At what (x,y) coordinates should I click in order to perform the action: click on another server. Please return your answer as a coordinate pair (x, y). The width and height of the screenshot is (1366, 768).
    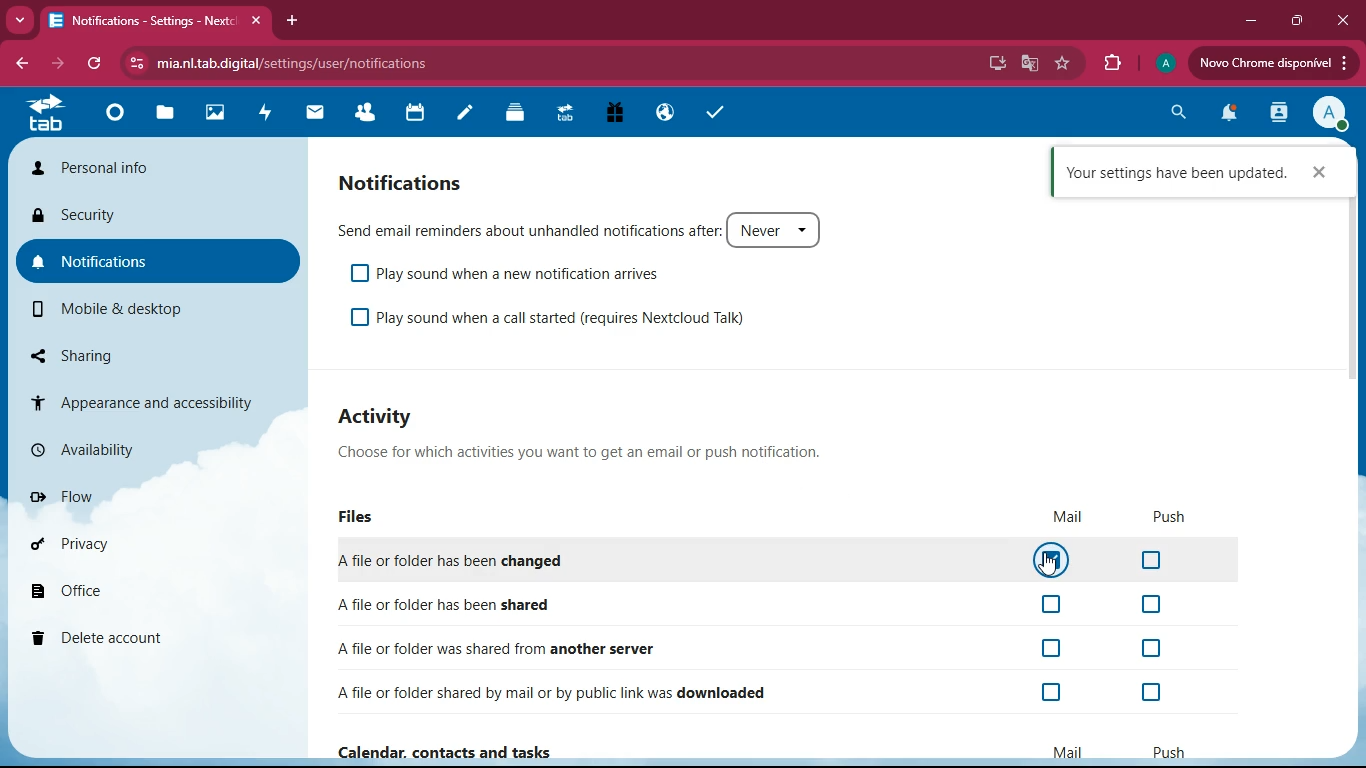
    Looking at the image, I should click on (508, 648).